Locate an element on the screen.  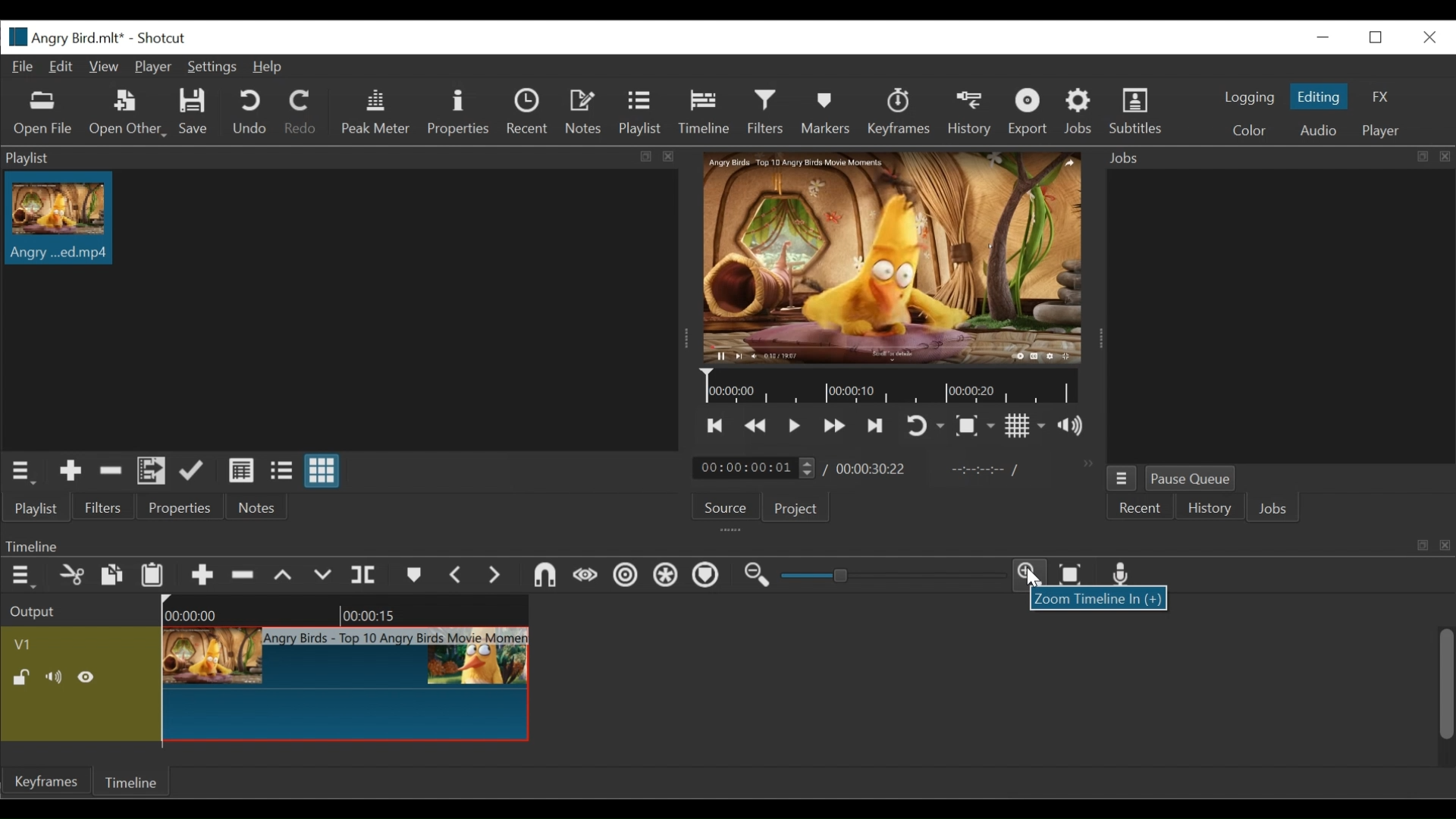
Notes is located at coordinates (583, 111).